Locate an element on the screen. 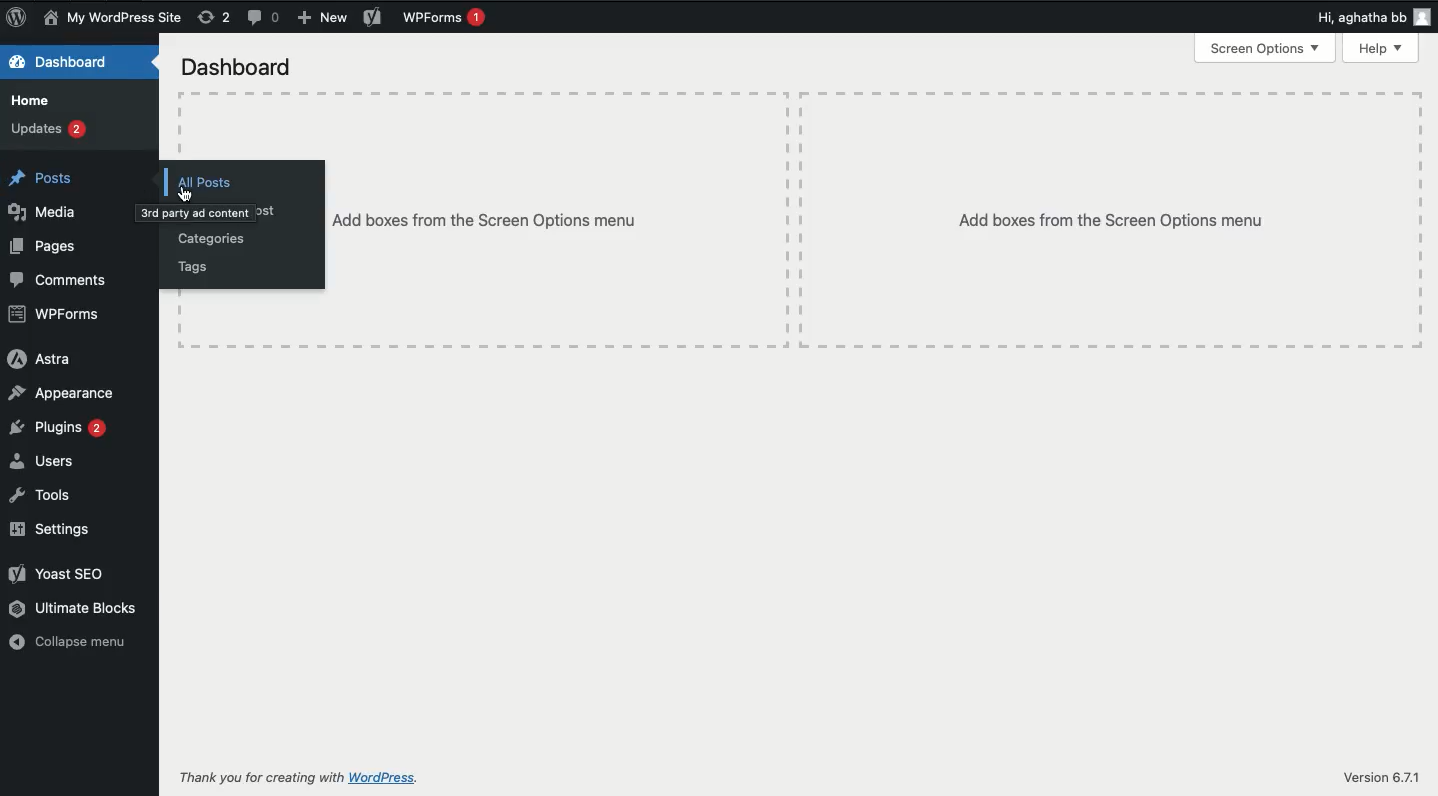  cursor is located at coordinates (191, 196).